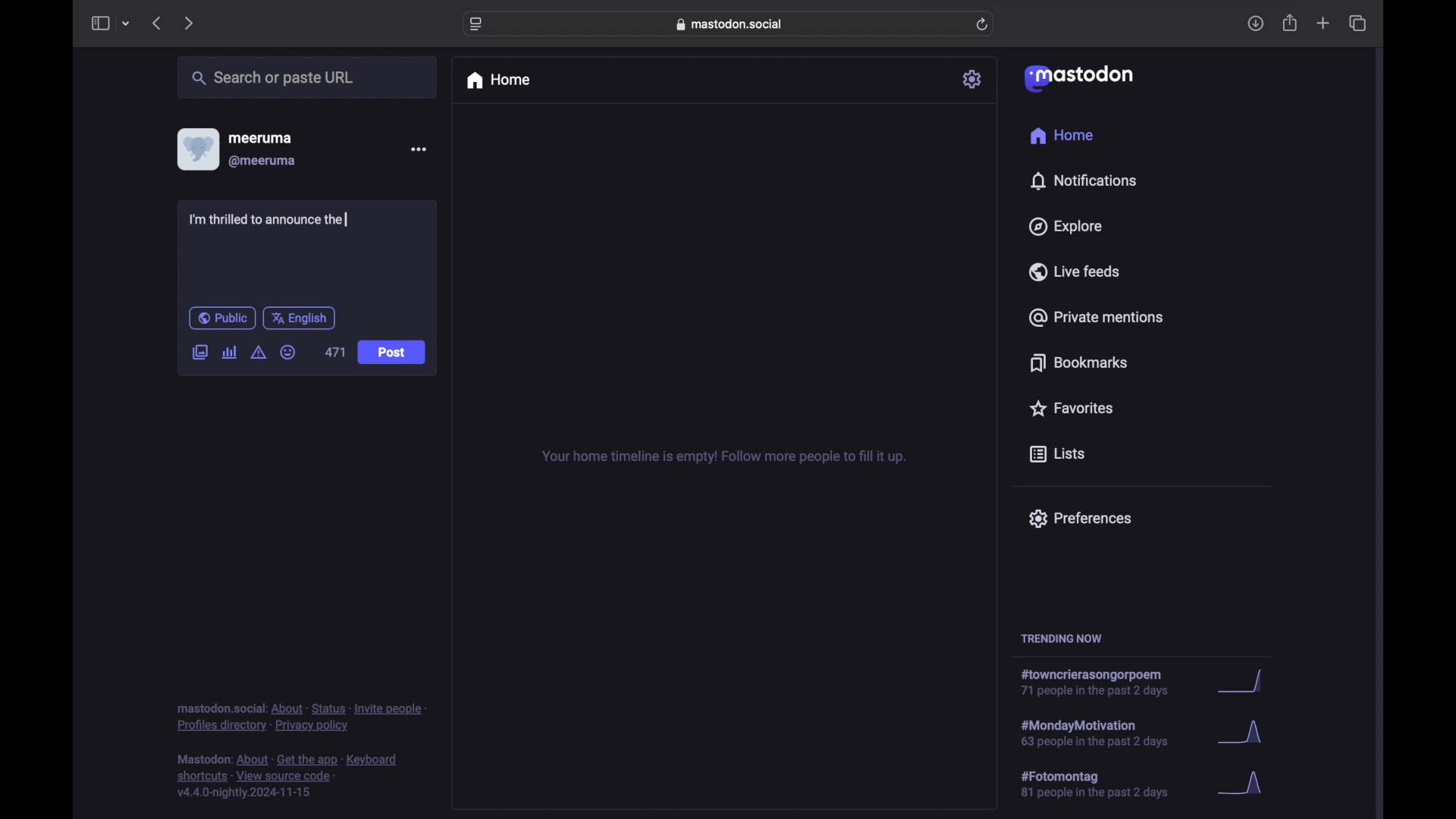 The width and height of the screenshot is (1456, 819). I want to click on live feeds, so click(1073, 271).